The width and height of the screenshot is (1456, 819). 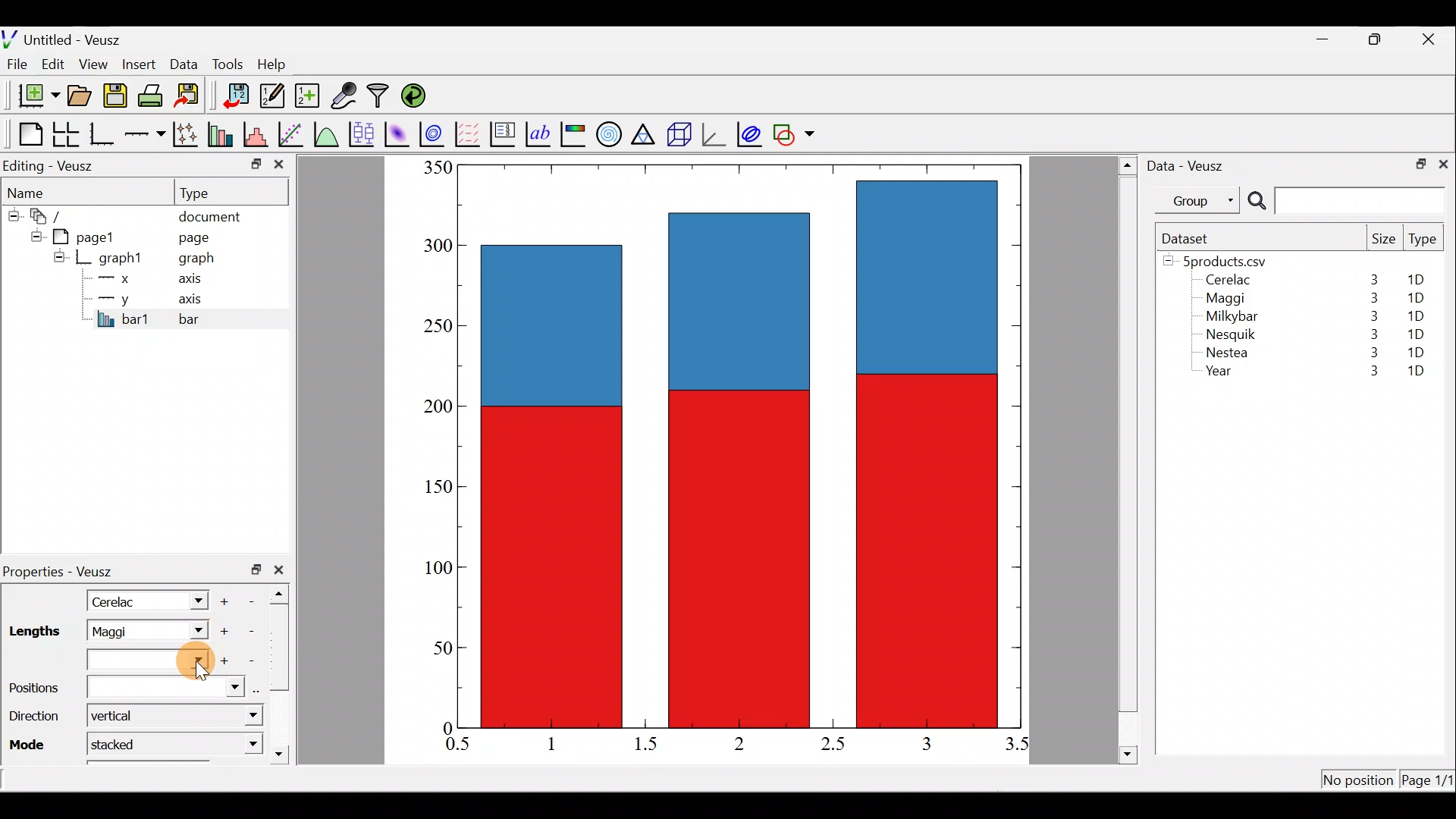 I want to click on Capture remote data, so click(x=345, y=96).